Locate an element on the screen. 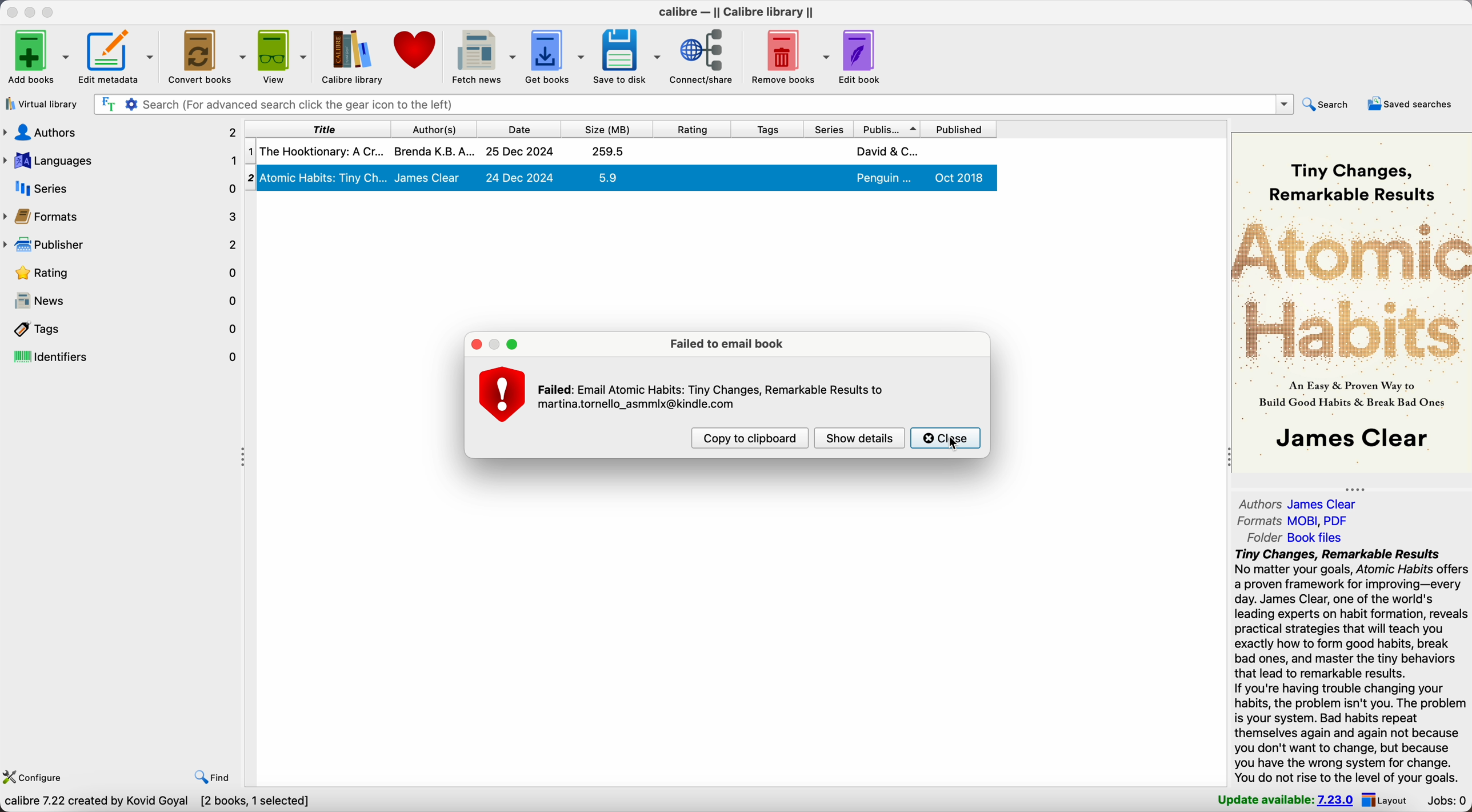  search is located at coordinates (1330, 105).